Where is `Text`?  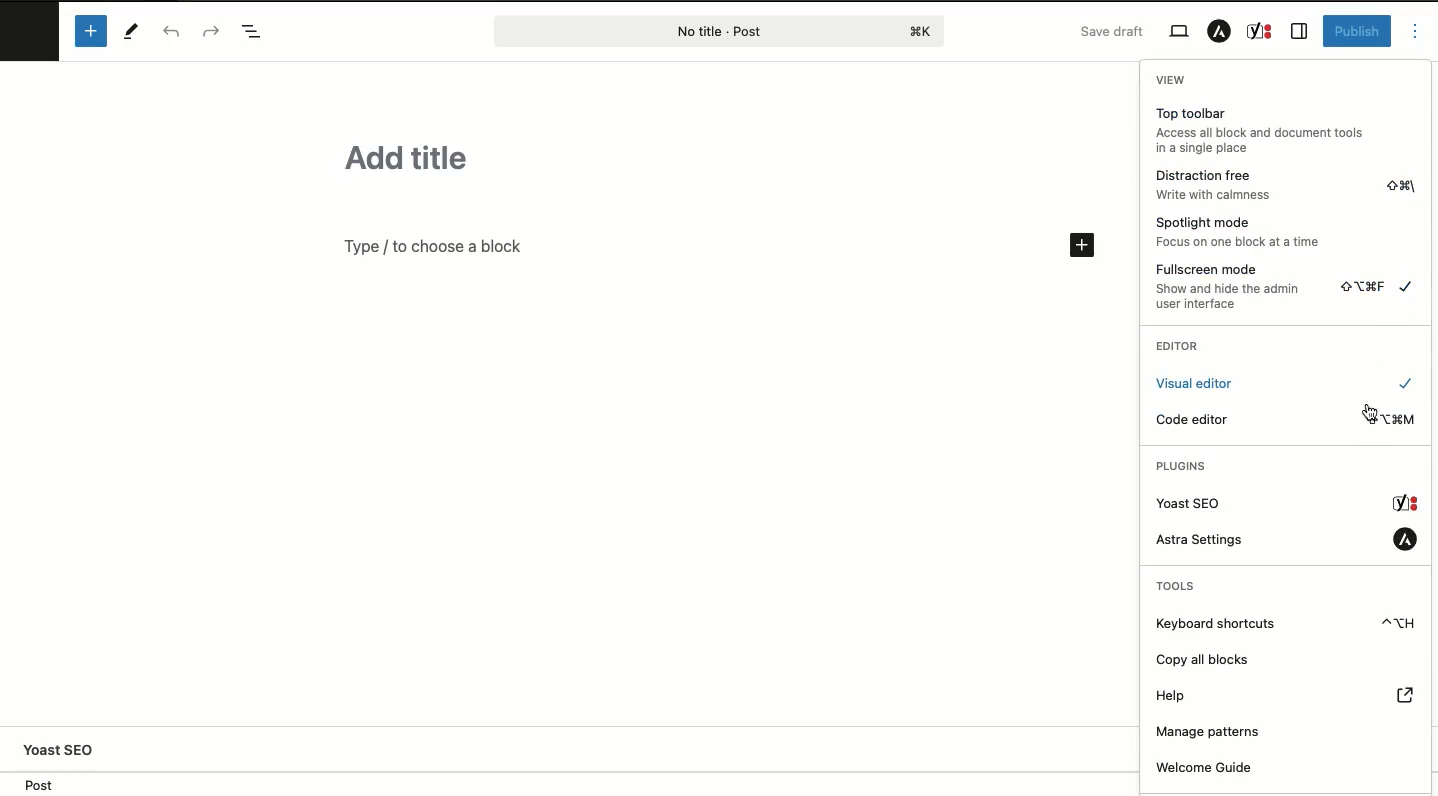
Text is located at coordinates (489, 251).